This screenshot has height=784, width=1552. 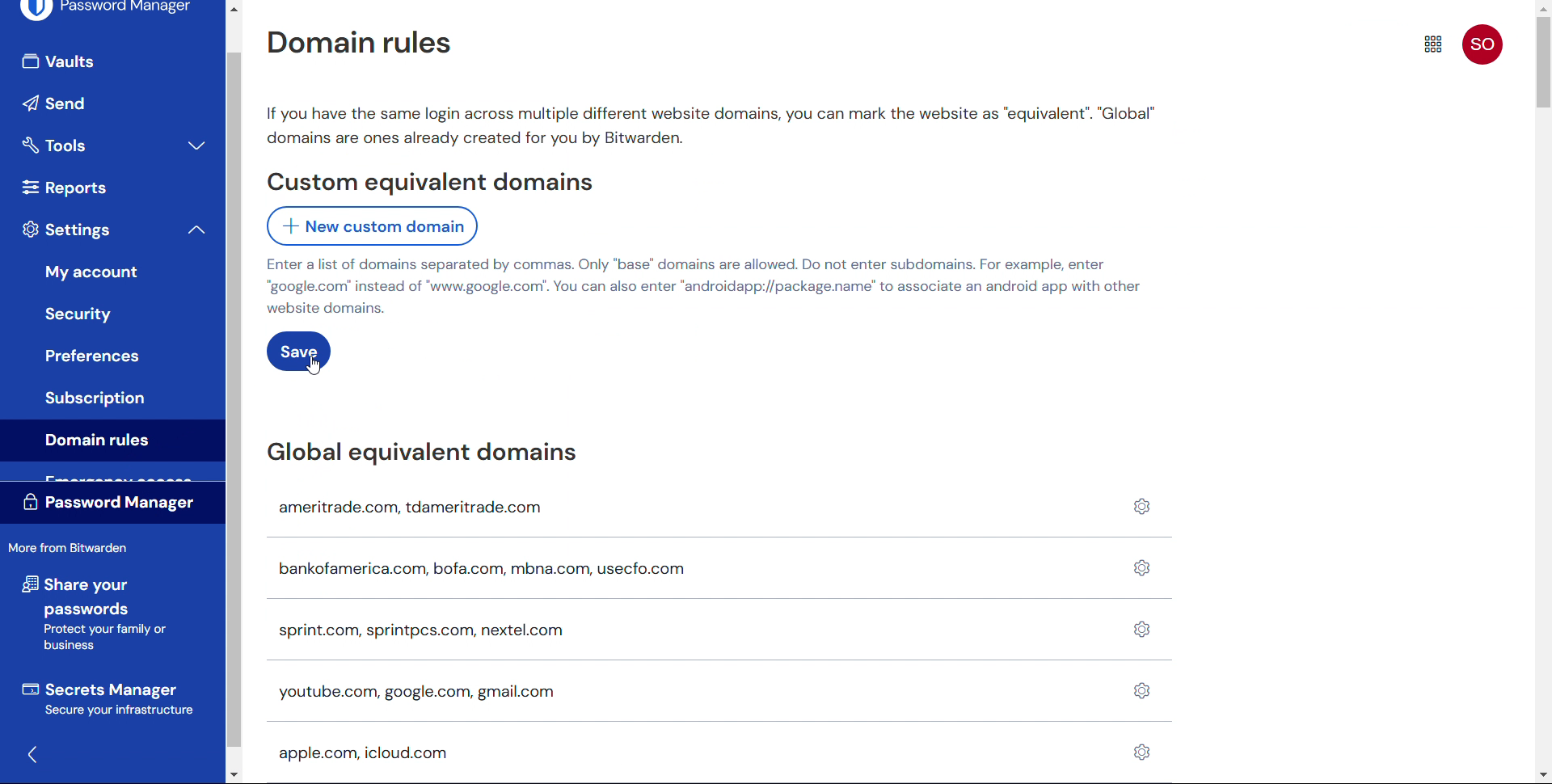 I want to click on scroll down, so click(x=232, y=776).